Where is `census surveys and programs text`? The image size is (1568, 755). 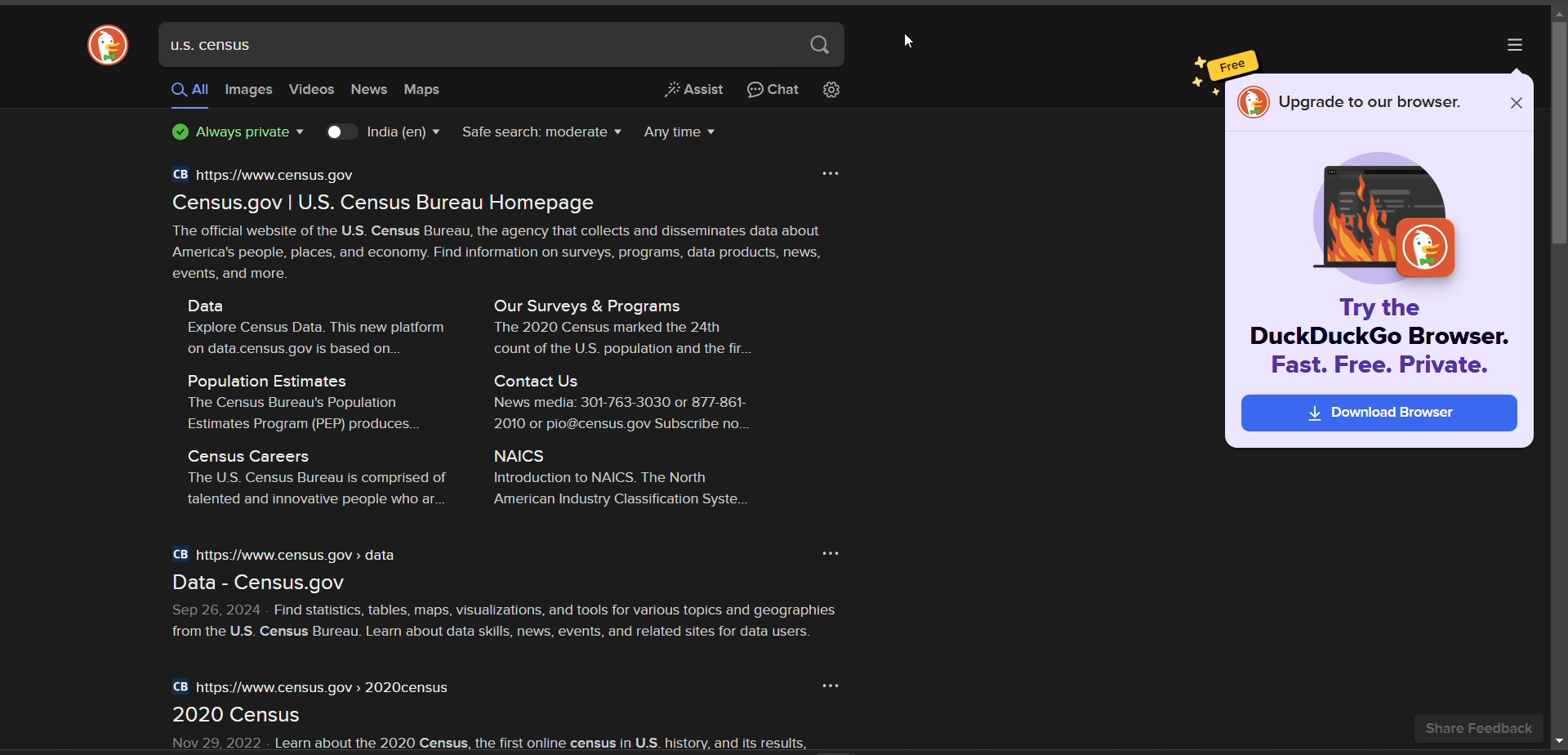
census surveys and programs text is located at coordinates (621, 340).